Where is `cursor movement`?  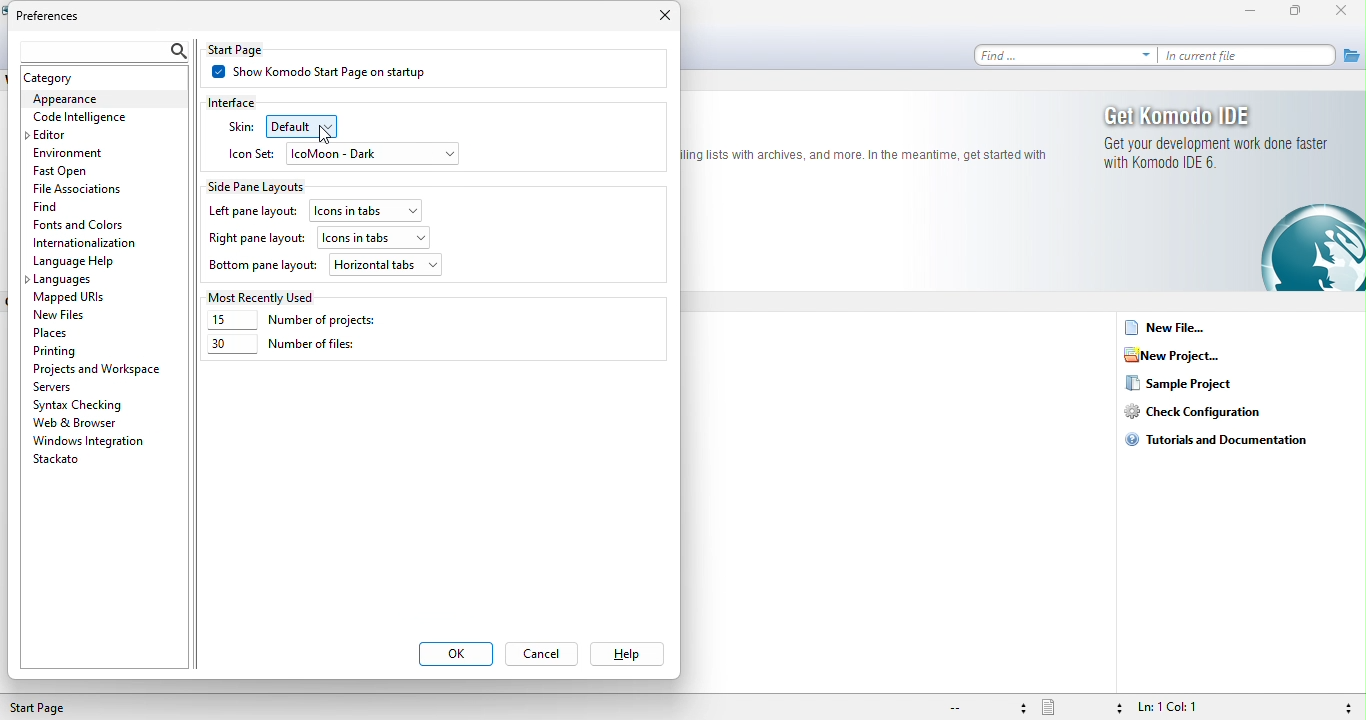
cursor movement is located at coordinates (325, 136).